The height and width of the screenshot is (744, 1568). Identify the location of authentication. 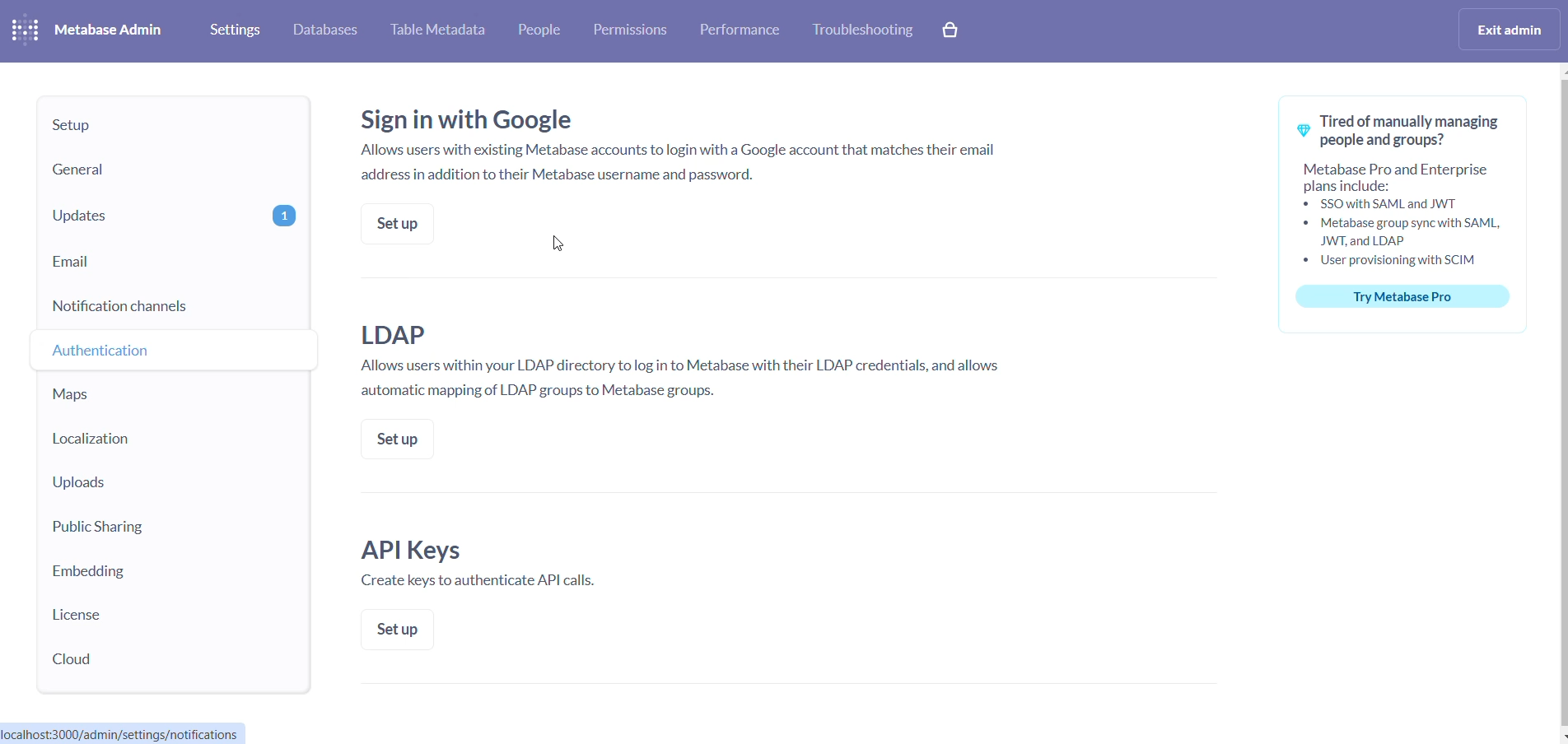
(157, 348).